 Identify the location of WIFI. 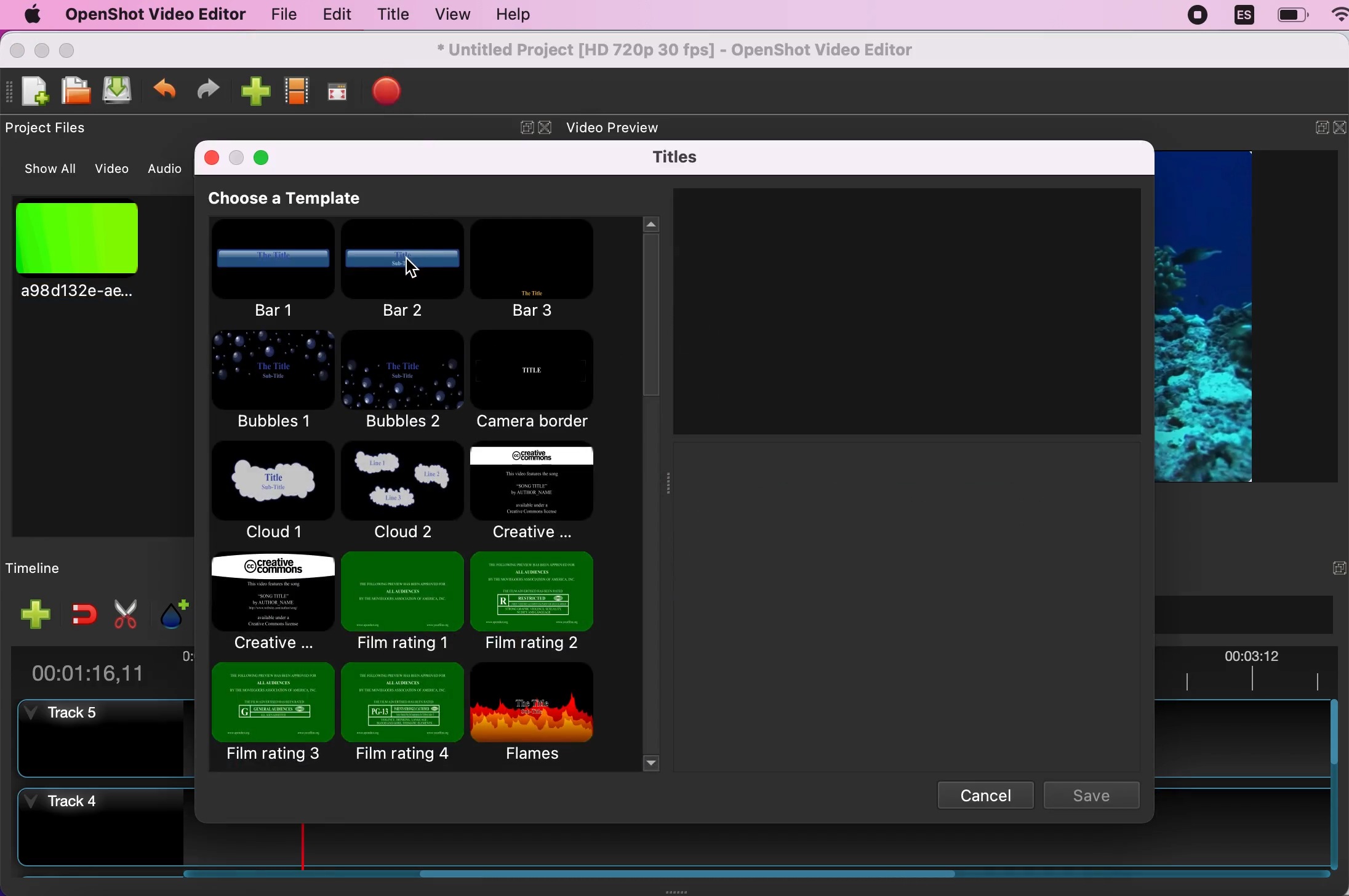
(1340, 14).